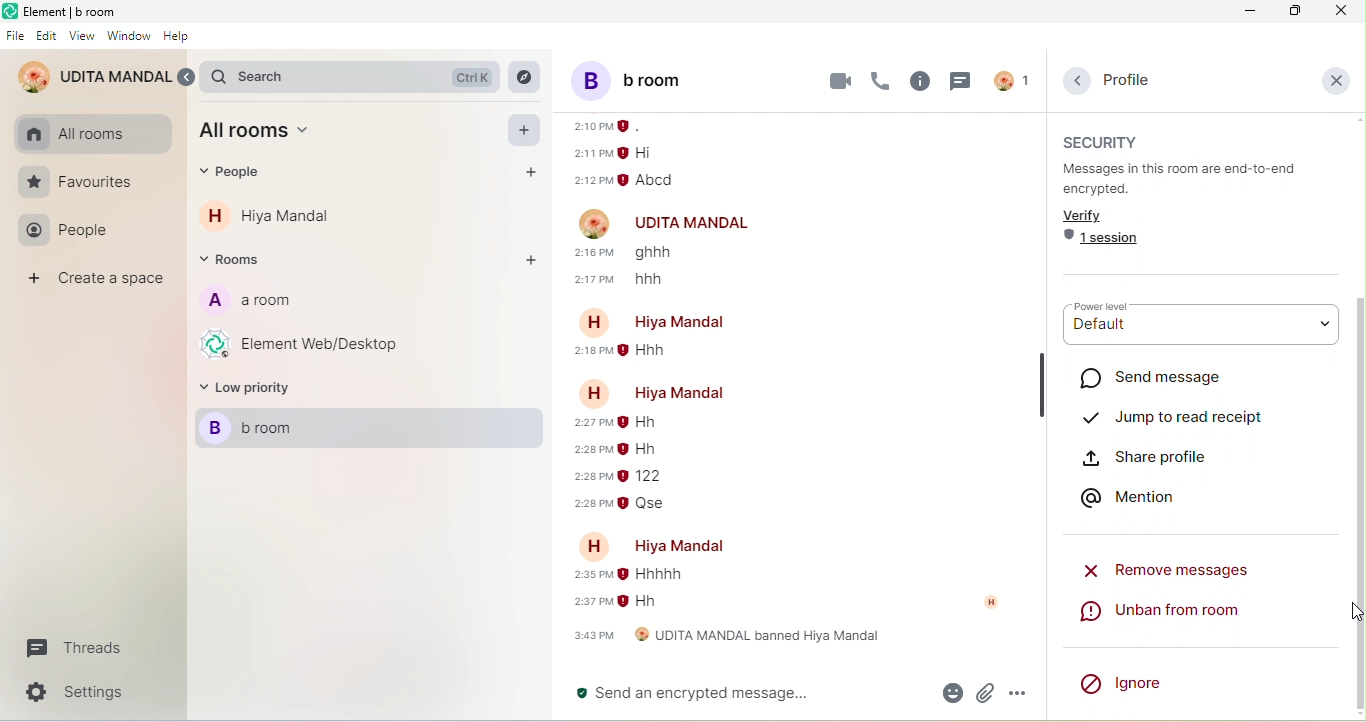 This screenshot has height=722, width=1366. What do you see at coordinates (529, 260) in the screenshot?
I see `add rooms` at bounding box center [529, 260].